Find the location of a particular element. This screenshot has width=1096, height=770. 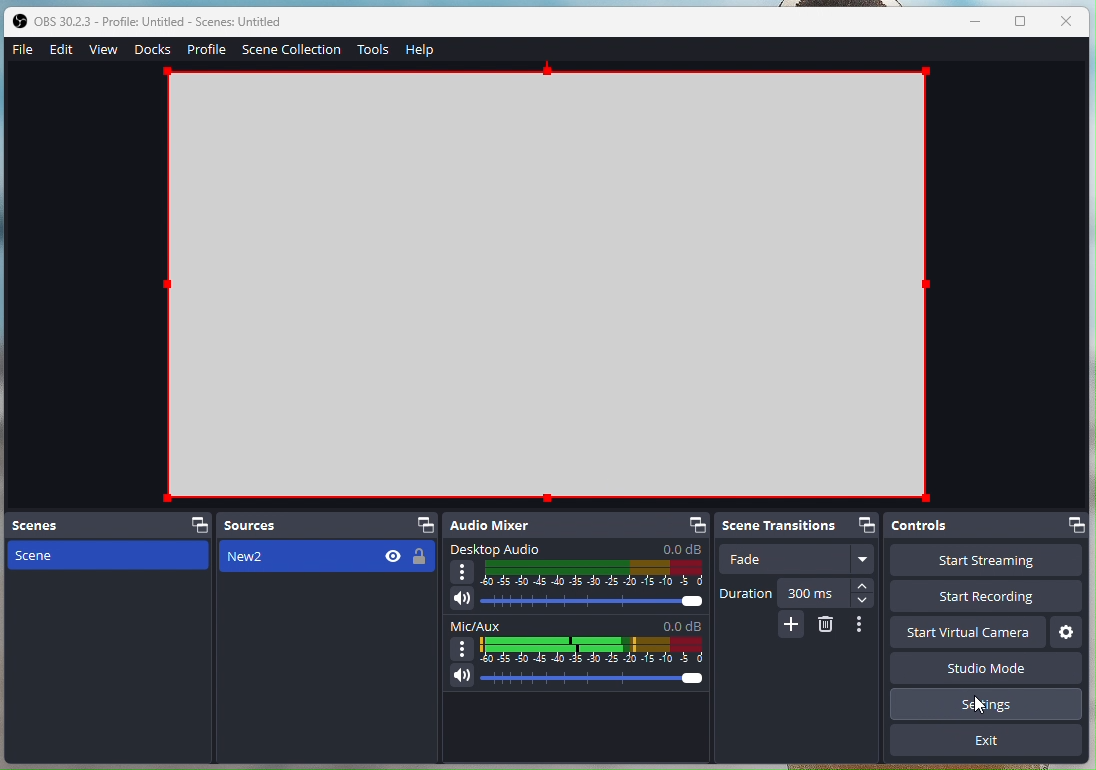

Duration is located at coordinates (746, 594).